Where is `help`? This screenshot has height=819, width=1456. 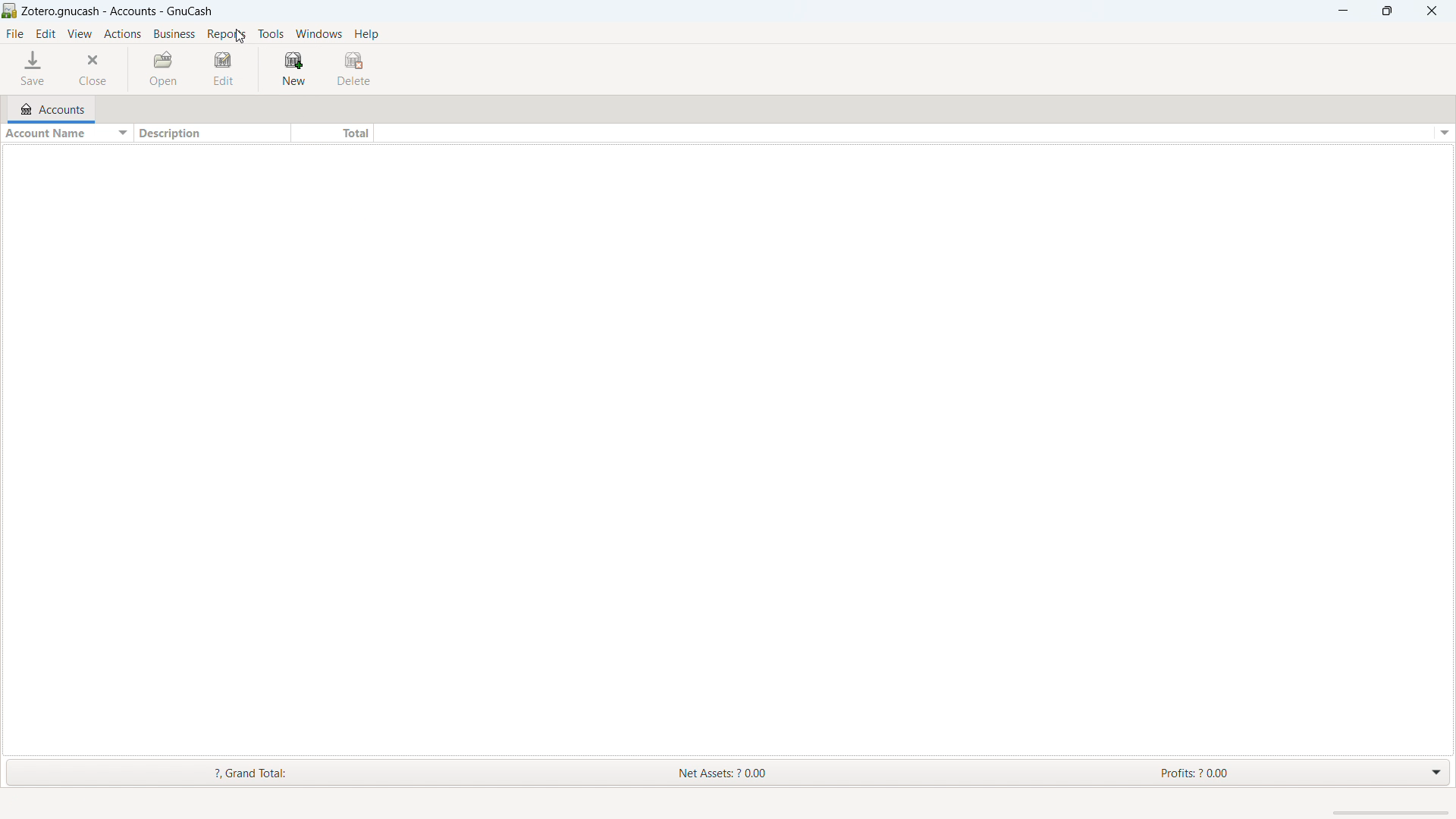
help is located at coordinates (366, 34).